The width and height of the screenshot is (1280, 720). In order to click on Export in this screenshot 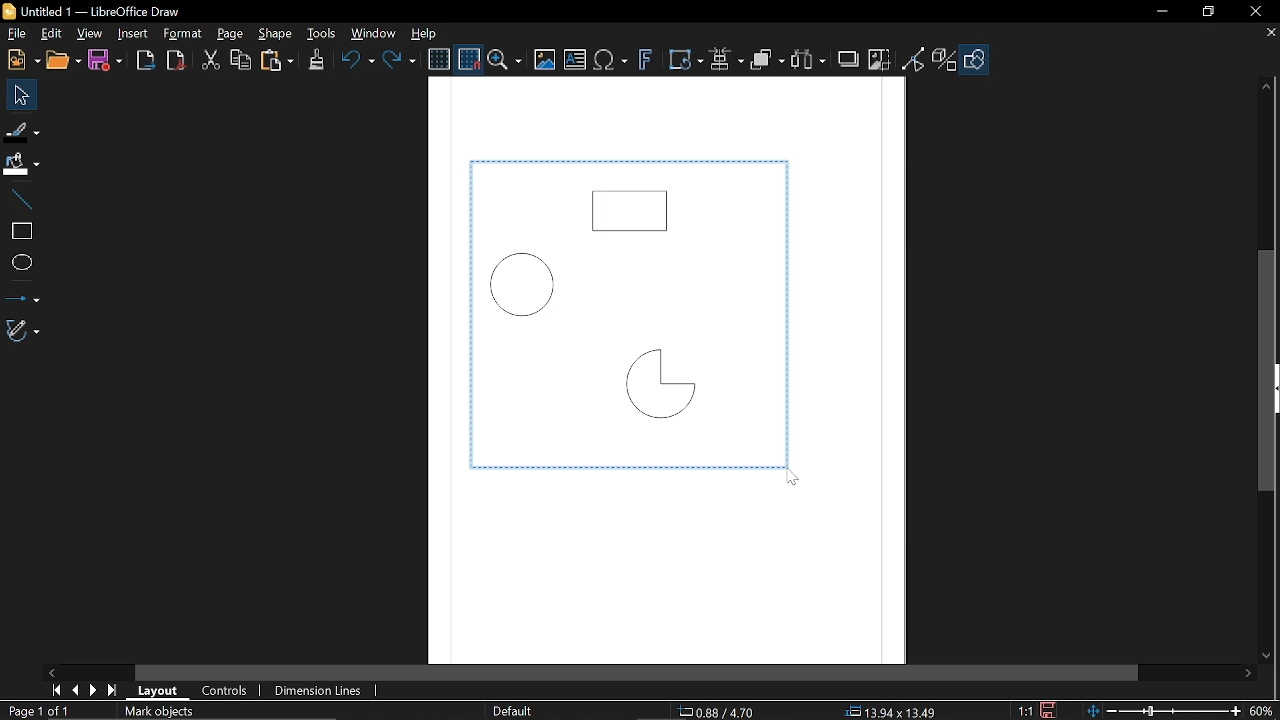, I will do `click(146, 59)`.